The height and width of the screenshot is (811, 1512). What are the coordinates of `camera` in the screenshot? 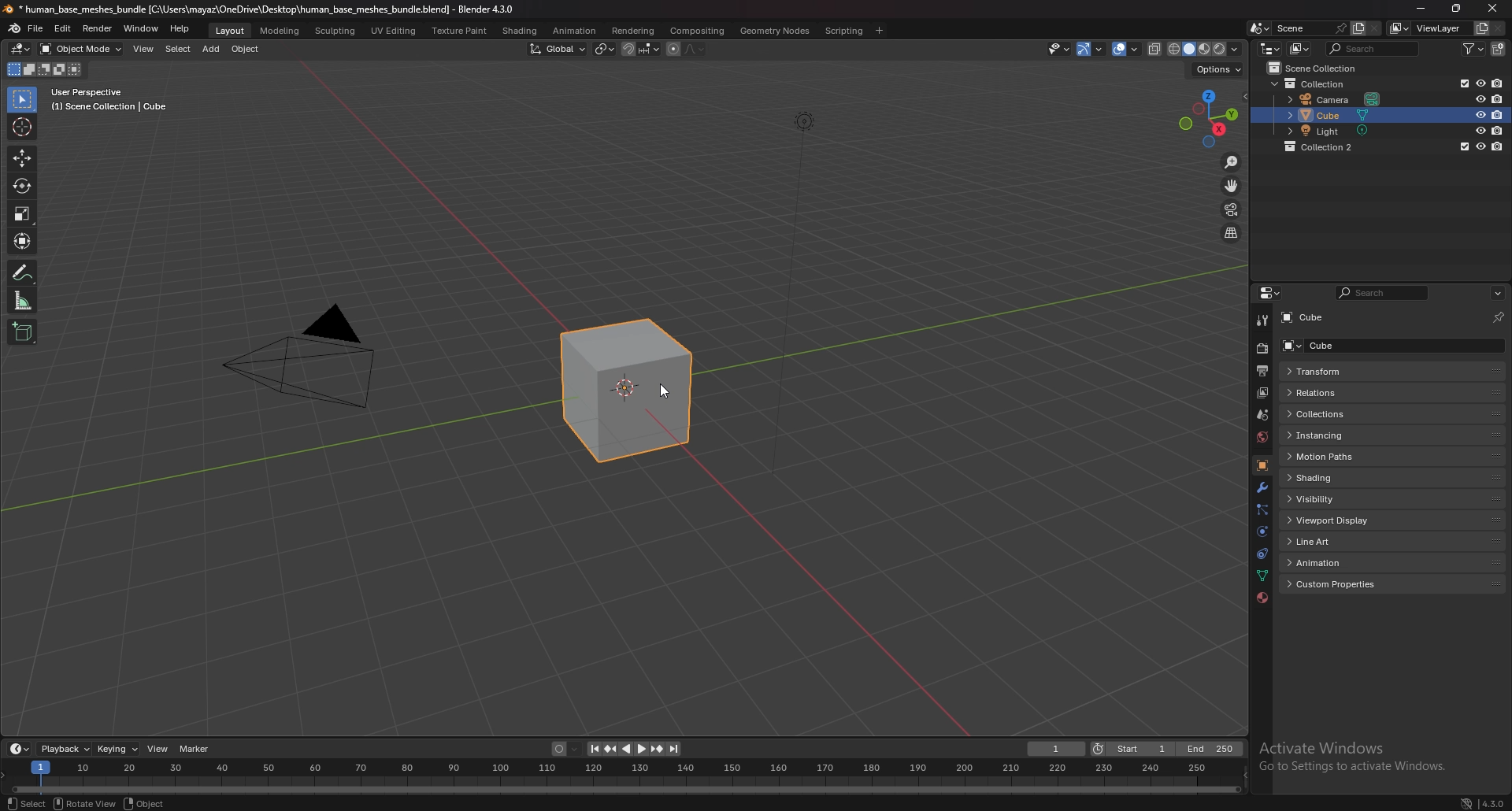 It's located at (298, 354).